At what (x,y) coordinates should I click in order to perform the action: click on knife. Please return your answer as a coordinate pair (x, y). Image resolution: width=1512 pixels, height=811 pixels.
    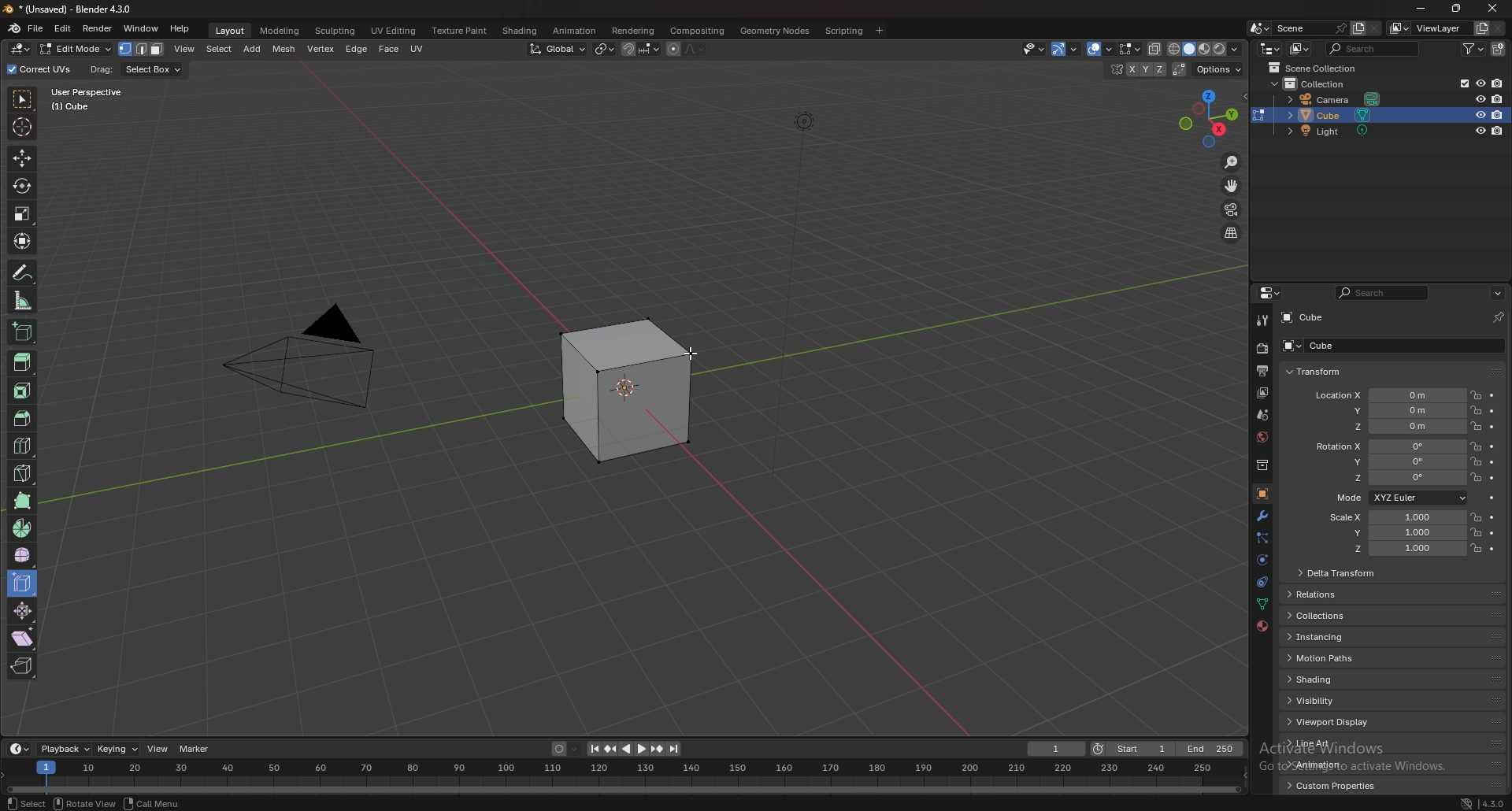
    Looking at the image, I should click on (22, 472).